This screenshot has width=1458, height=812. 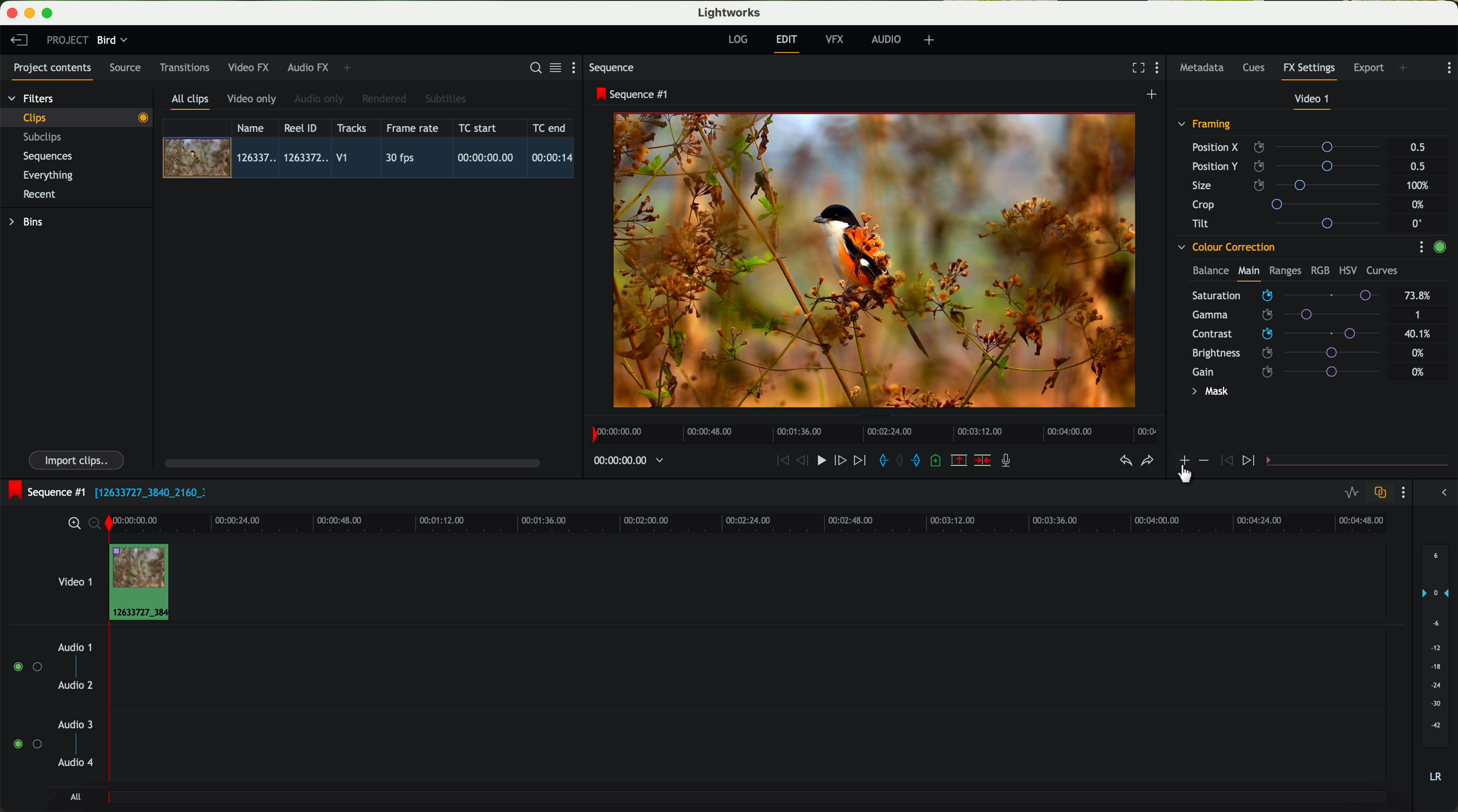 What do you see at coordinates (255, 128) in the screenshot?
I see `name` at bounding box center [255, 128].